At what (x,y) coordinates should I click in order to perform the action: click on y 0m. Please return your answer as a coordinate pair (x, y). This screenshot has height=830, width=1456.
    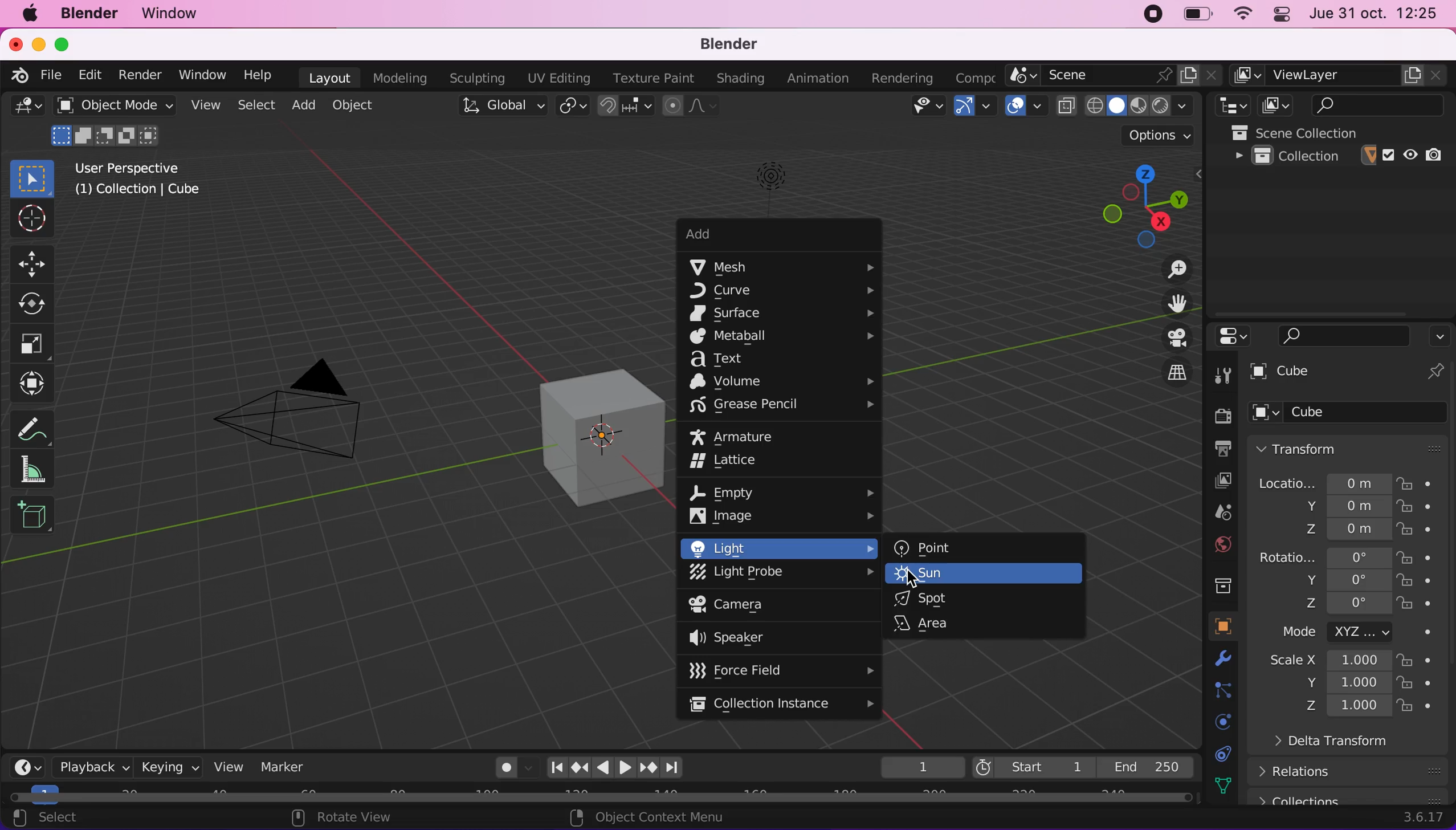
    Looking at the image, I should click on (1337, 507).